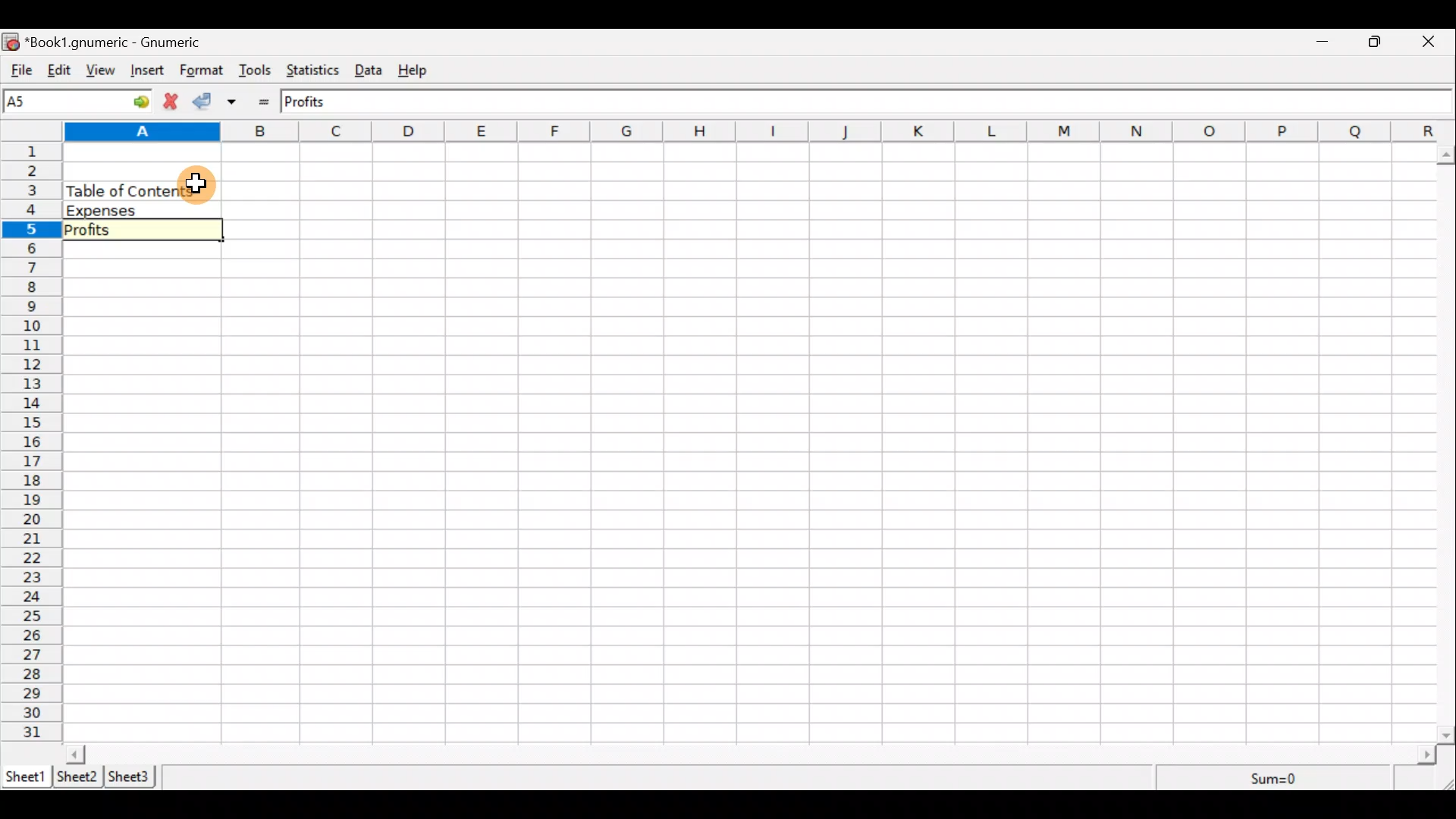 This screenshot has width=1456, height=819. I want to click on scroll down, so click(1447, 735).